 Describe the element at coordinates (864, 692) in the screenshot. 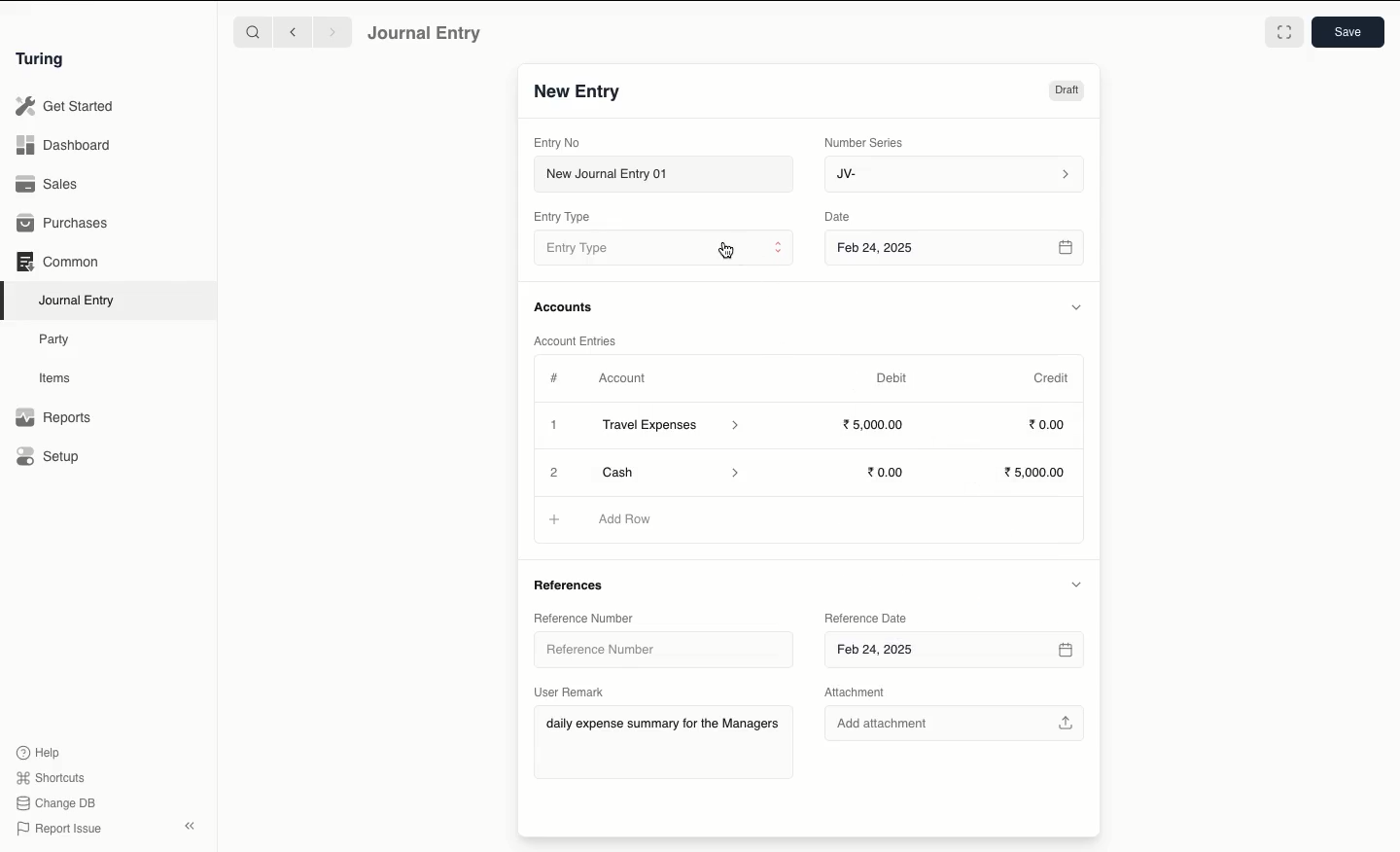

I see `Attachment` at that location.